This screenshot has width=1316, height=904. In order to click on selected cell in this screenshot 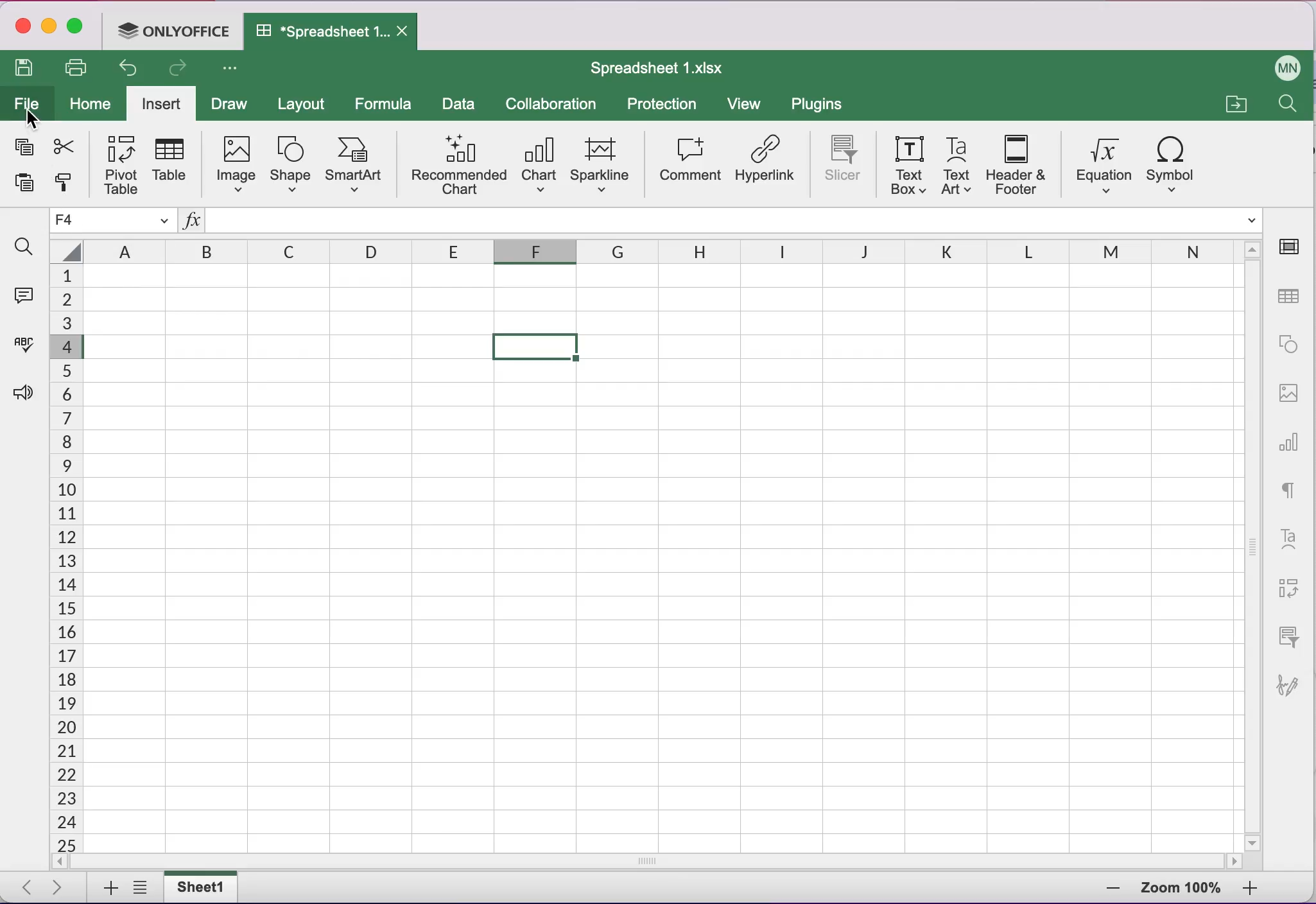, I will do `click(114, 220)`.